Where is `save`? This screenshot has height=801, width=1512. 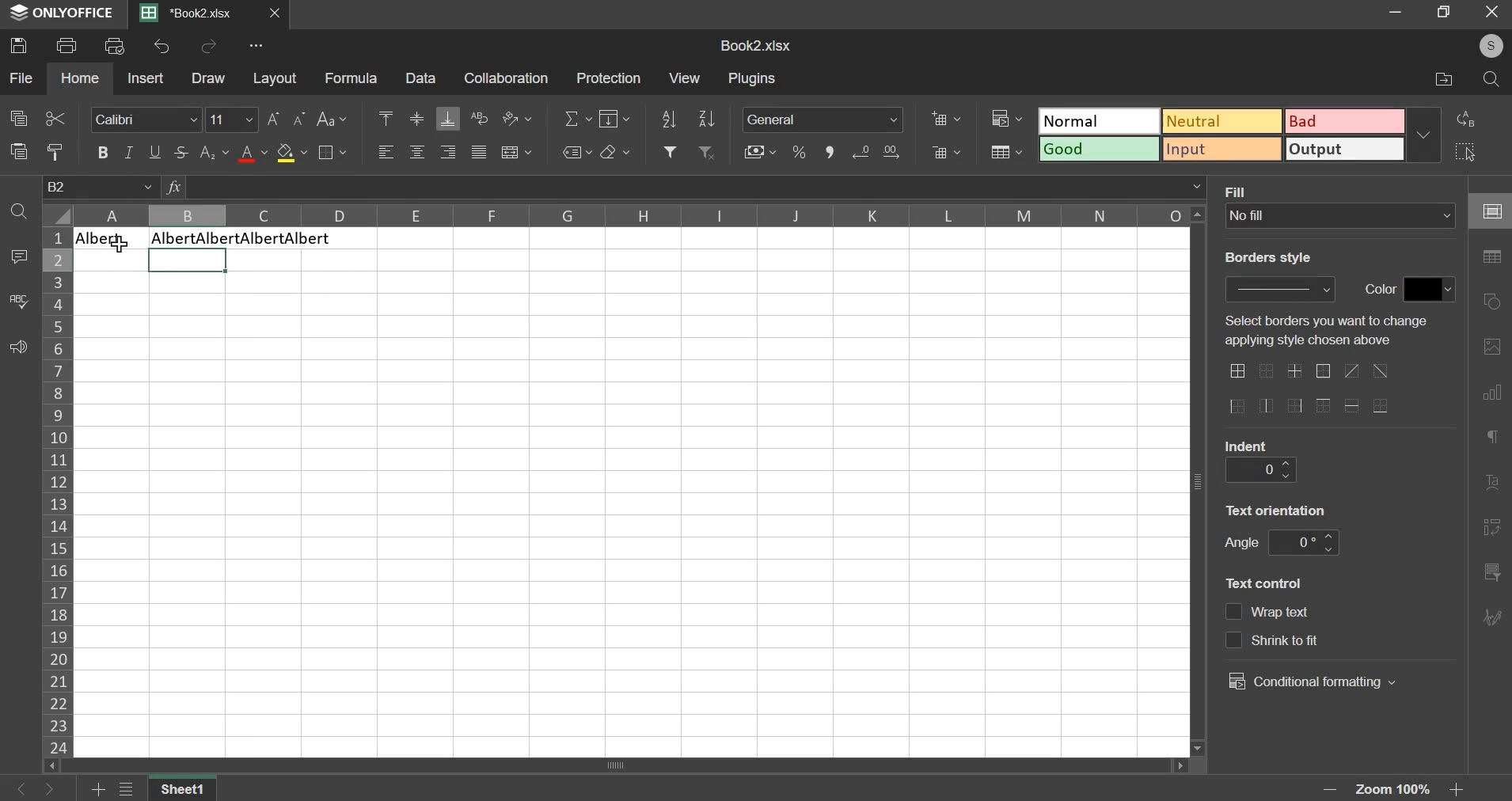
save is located at coordinates (18, 45).